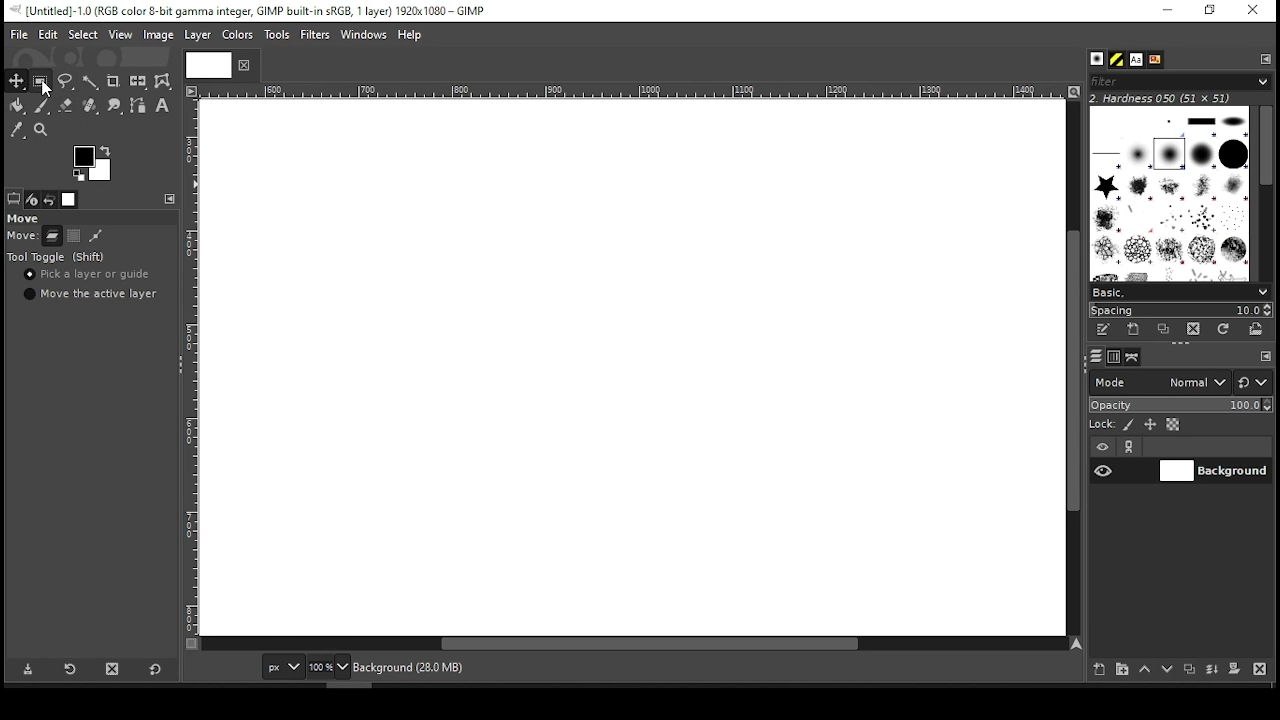  What do you see at coordinates (139, 107) in the screenshot?
I see `paths tool` at bounding box center [139, 107].